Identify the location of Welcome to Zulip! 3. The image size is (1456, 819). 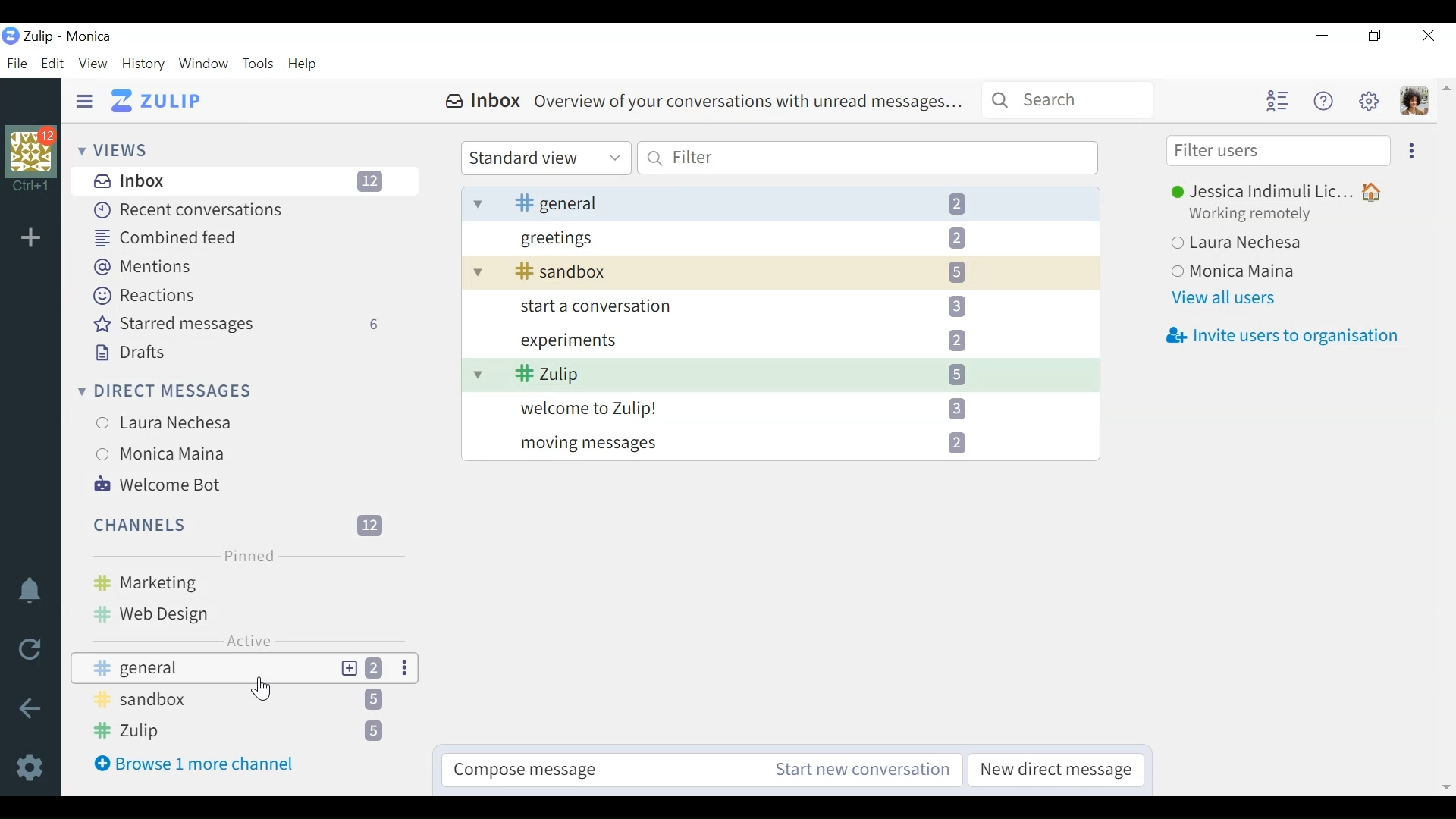
(780, 407).